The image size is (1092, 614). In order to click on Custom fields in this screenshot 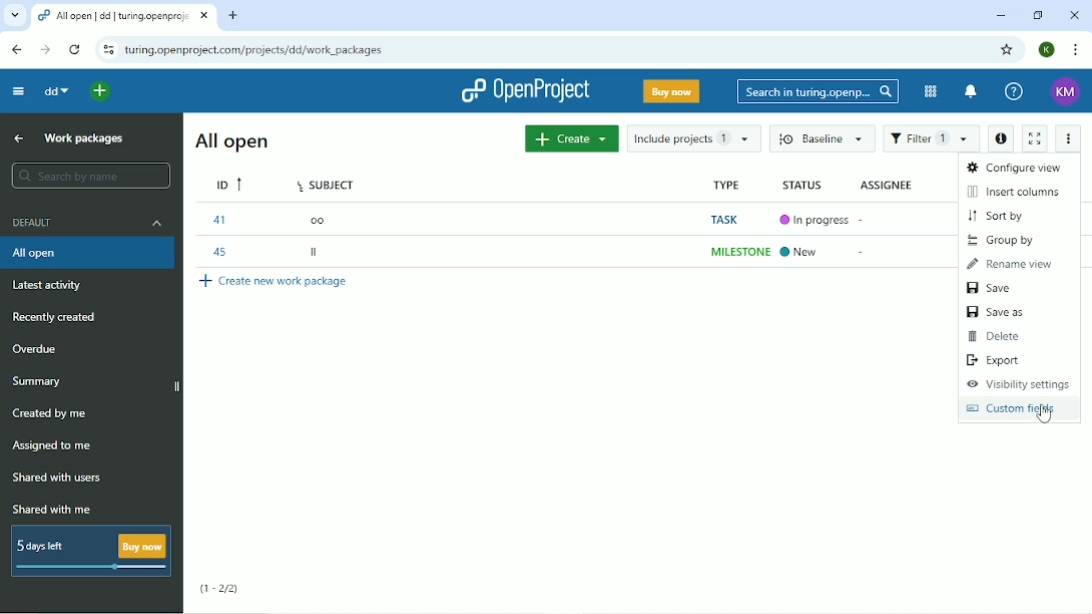, I will do `click(1011, 408)`.